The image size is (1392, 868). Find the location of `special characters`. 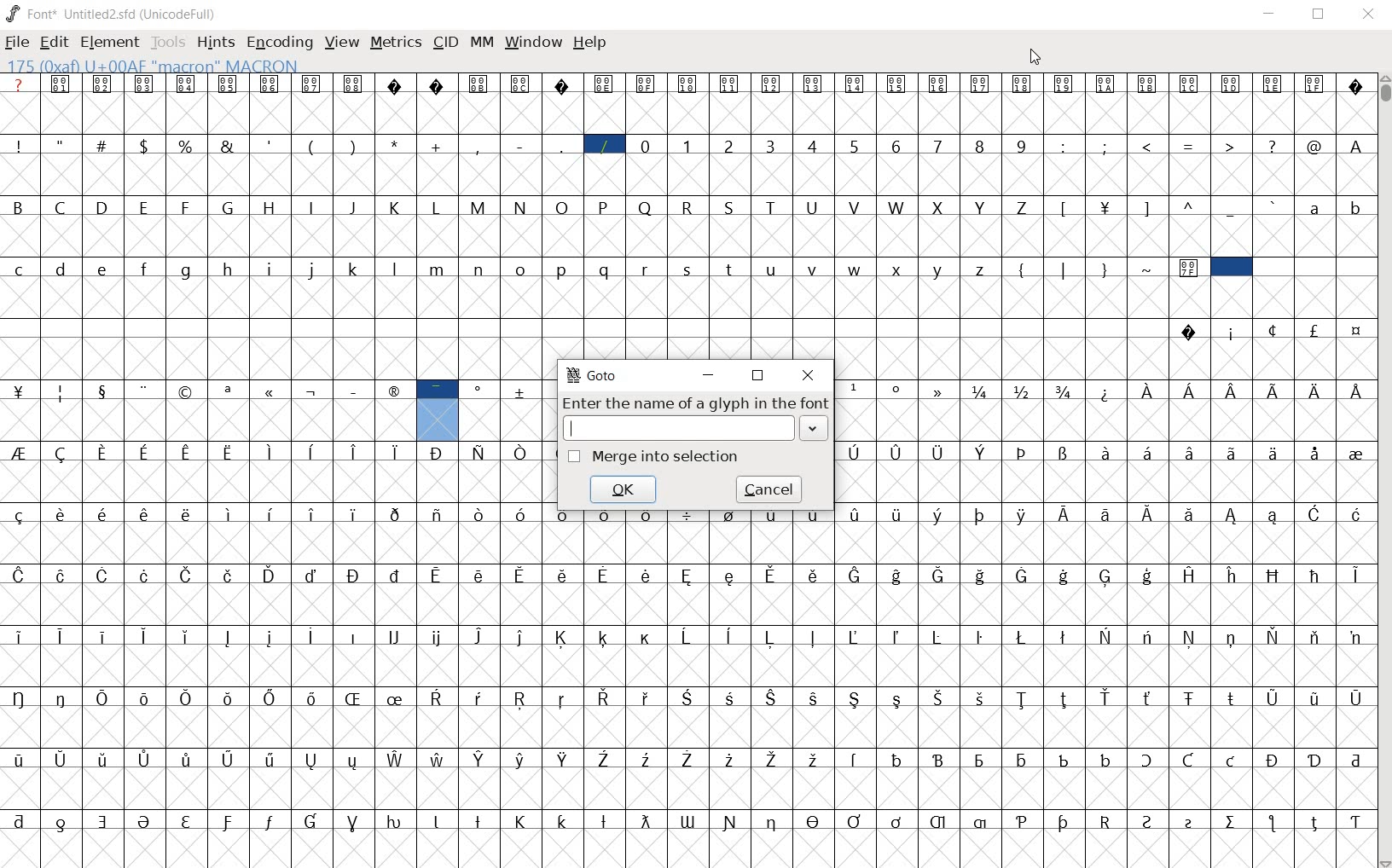

special characters is located at coordinates (899, 410).